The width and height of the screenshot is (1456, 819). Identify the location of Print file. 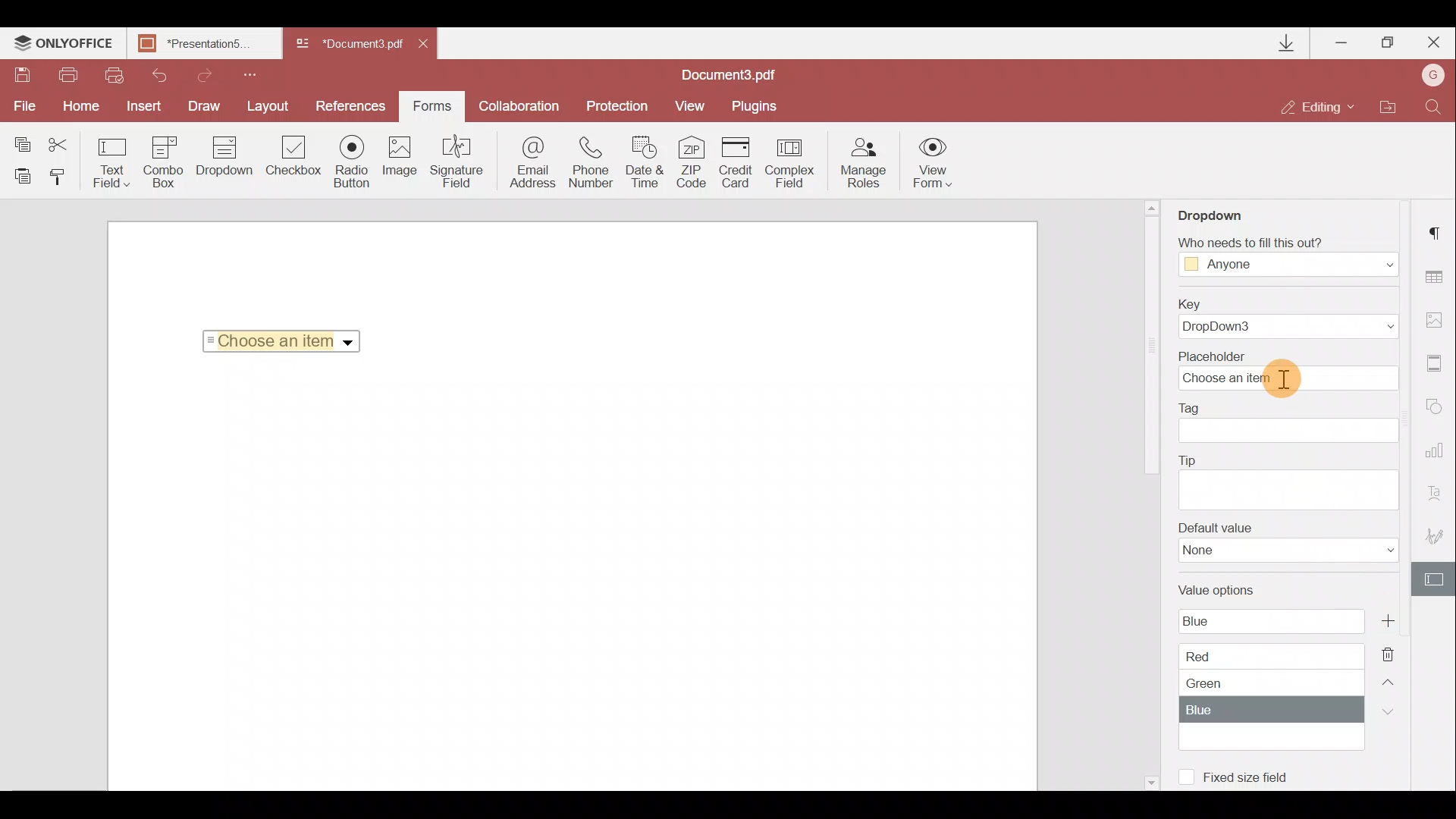
(73, 75).